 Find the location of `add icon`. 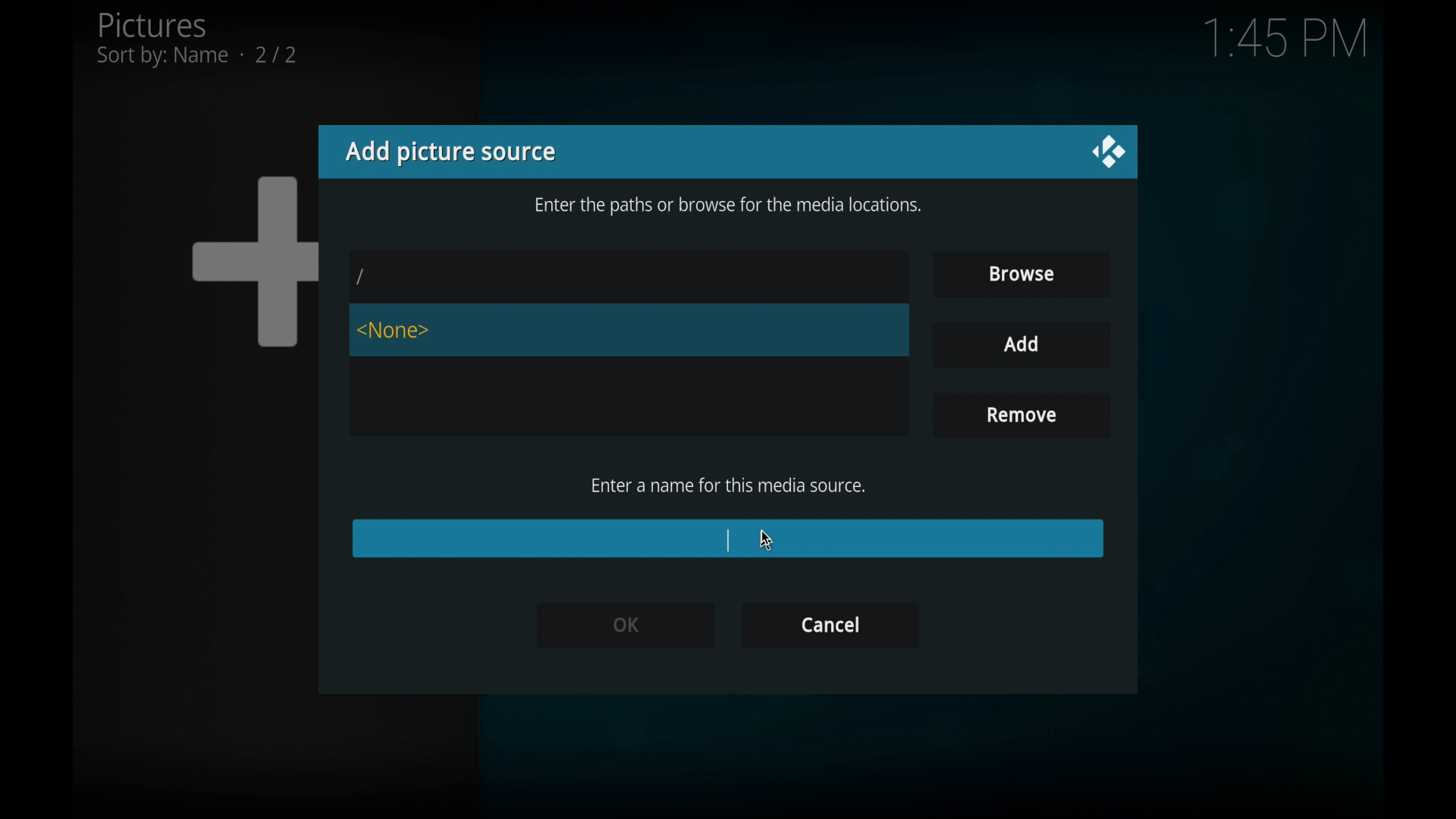

add icon is located at coordinates (253, 260).